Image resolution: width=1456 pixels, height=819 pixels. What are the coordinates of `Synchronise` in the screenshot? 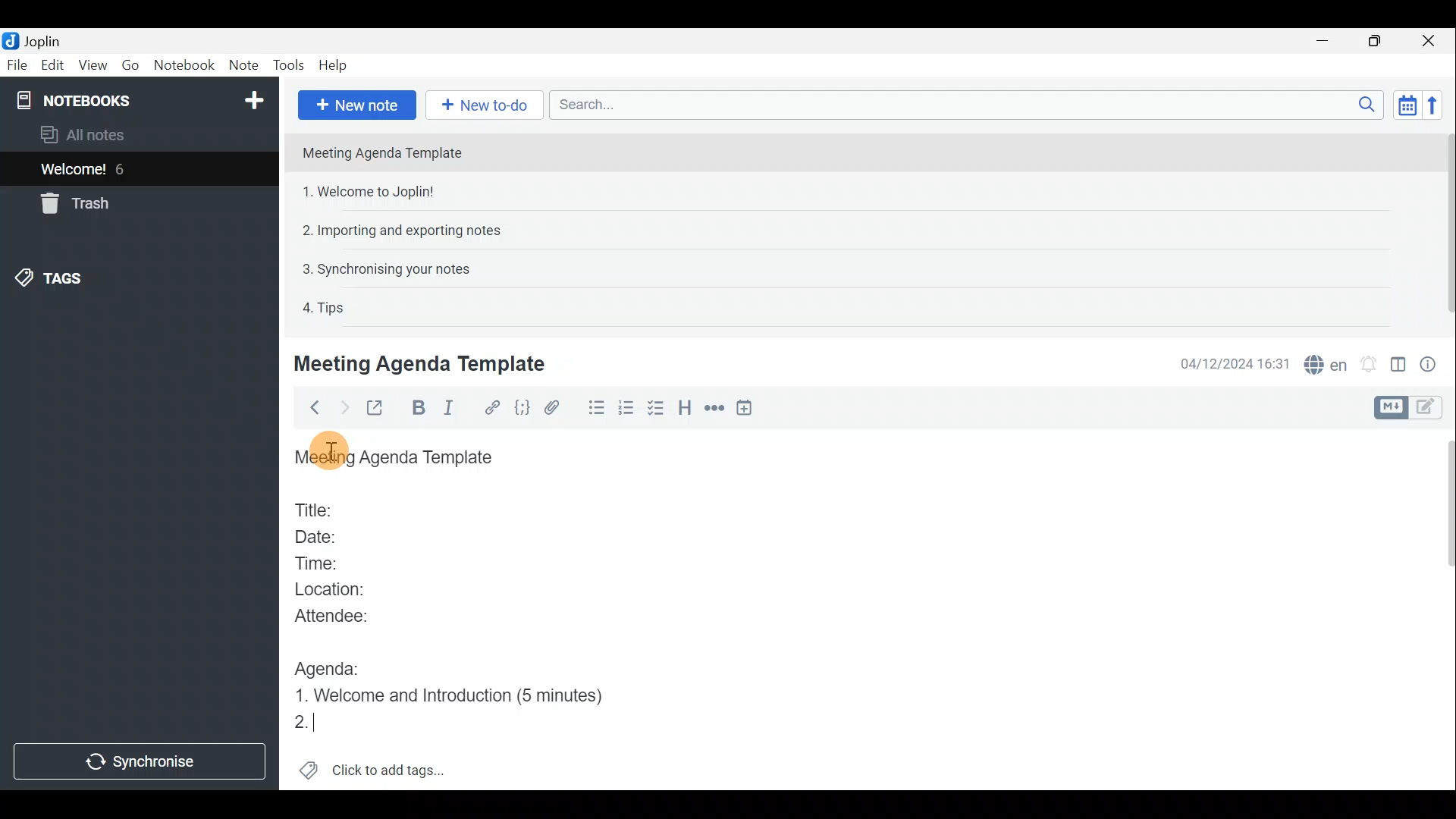 It's located at (139, 760).